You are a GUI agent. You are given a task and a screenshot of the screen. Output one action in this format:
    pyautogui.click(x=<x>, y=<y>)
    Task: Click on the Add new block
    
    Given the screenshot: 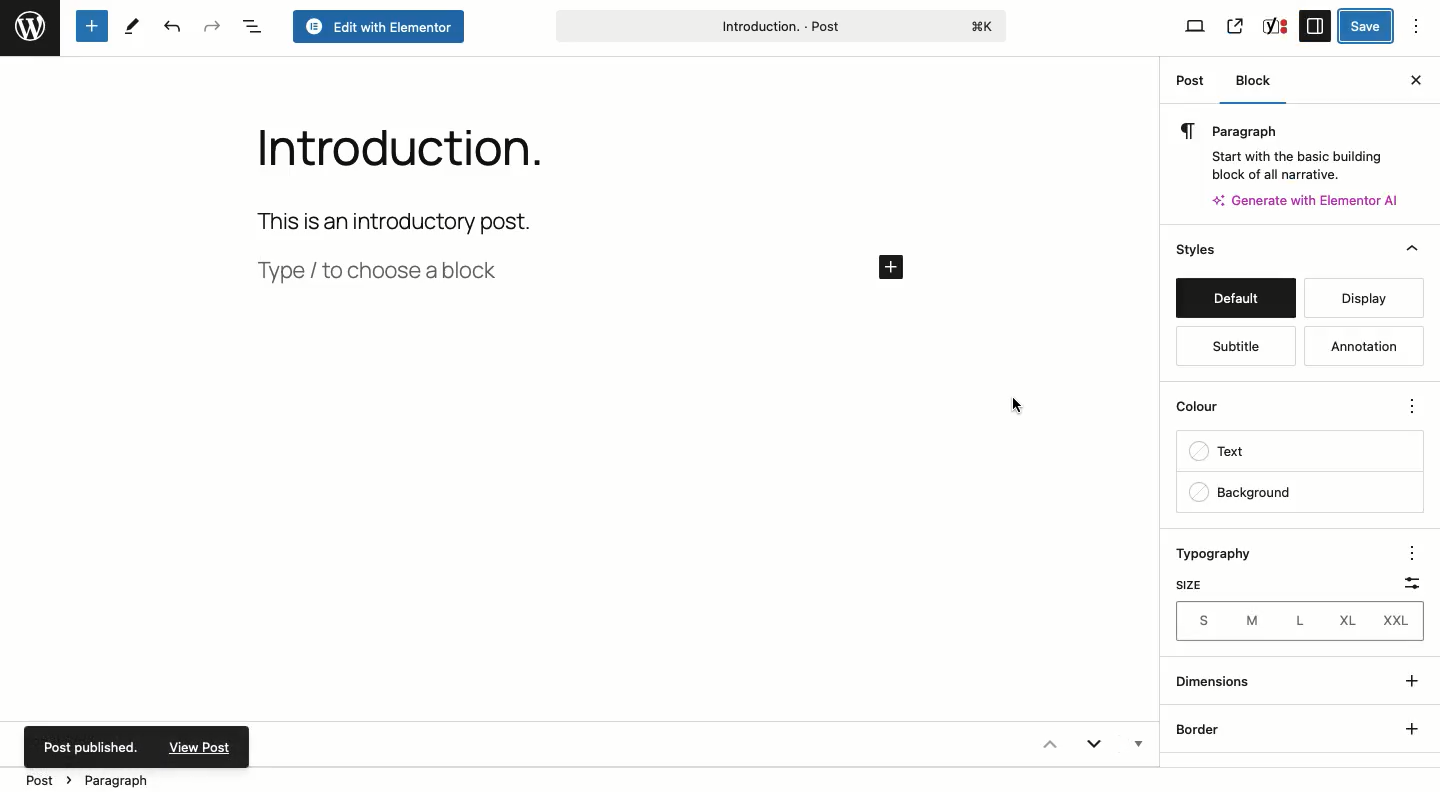 What is the action you would take?
    pyautogui.click(x=90, y=27)
    